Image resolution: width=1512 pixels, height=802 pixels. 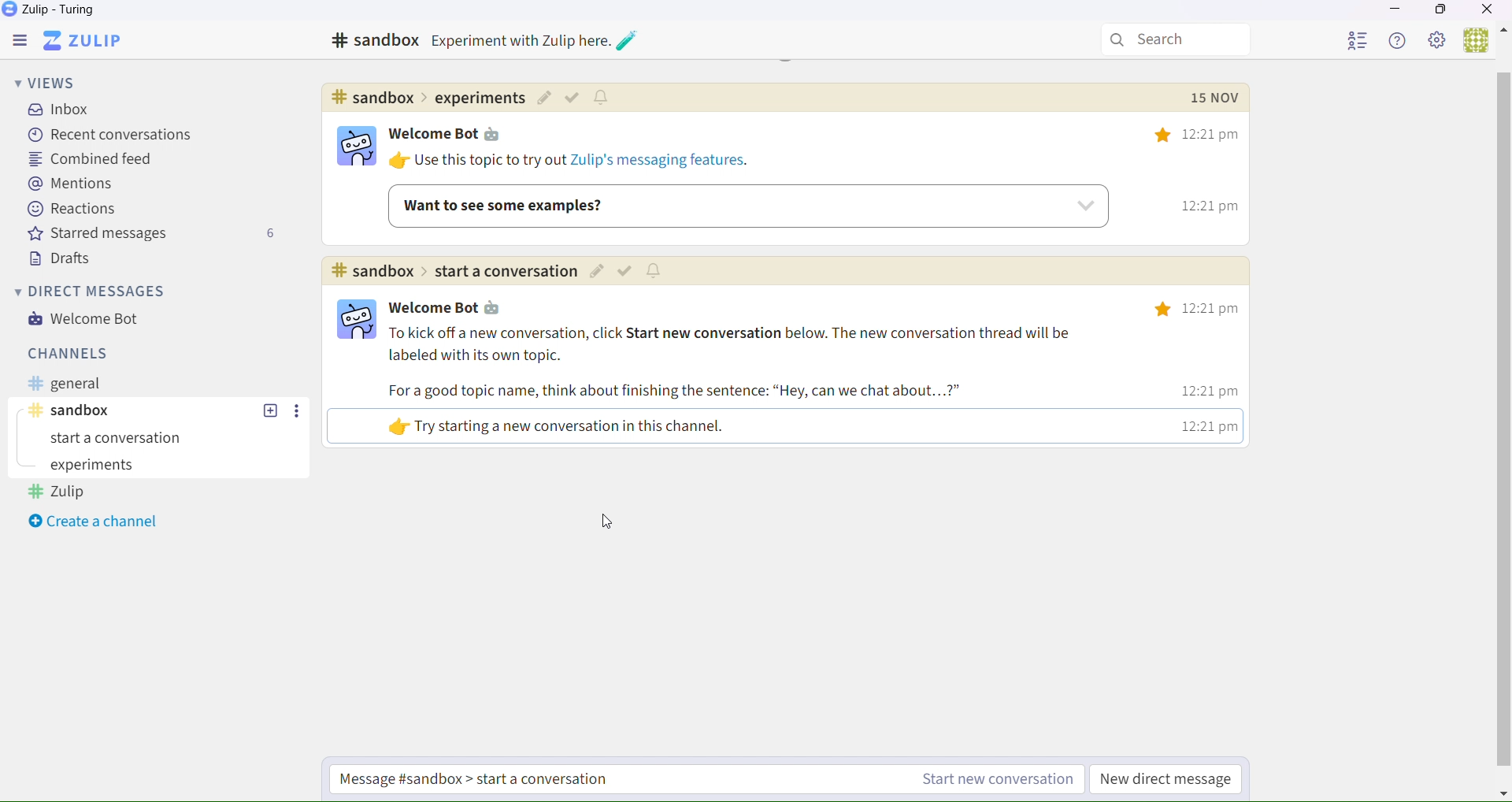 What do you see at coordinates (54, 12) in the screenshot?
I see `Zulip` at bounding box center [54, 12].